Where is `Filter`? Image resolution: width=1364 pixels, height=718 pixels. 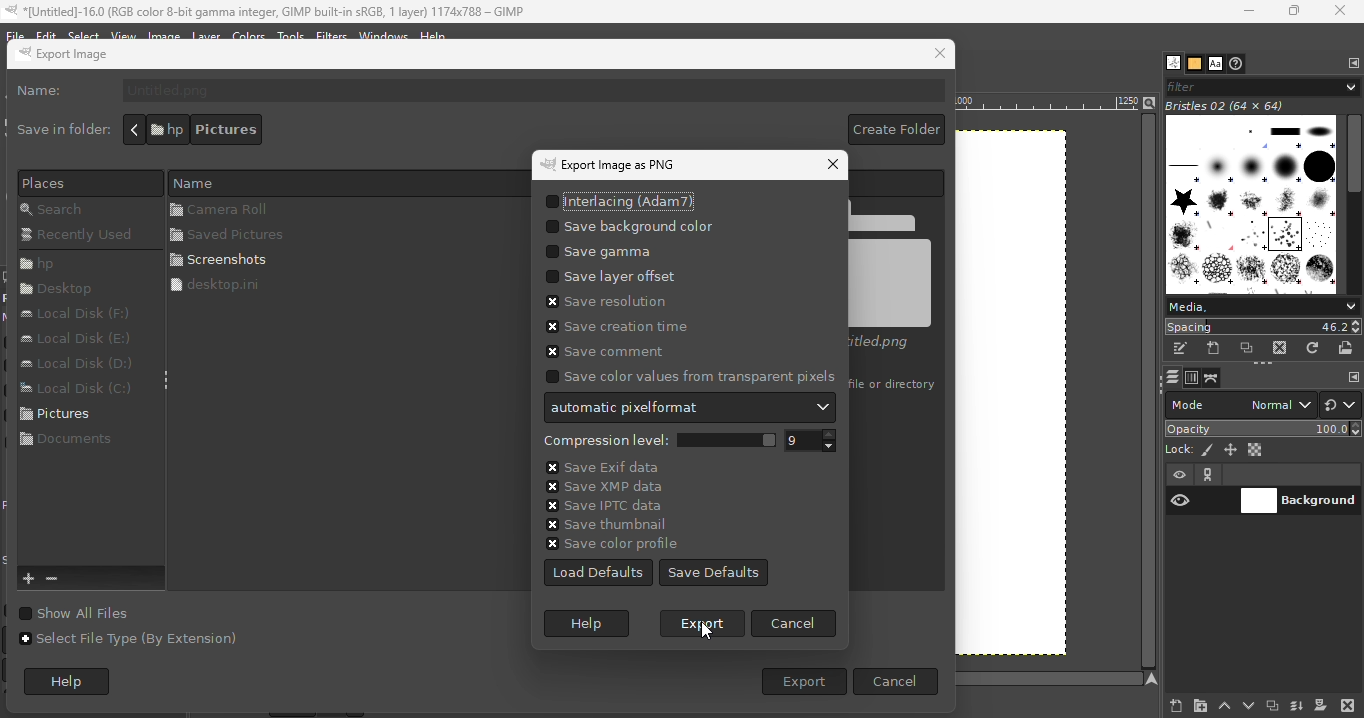
Filter is located at coordinates (1261, 85).